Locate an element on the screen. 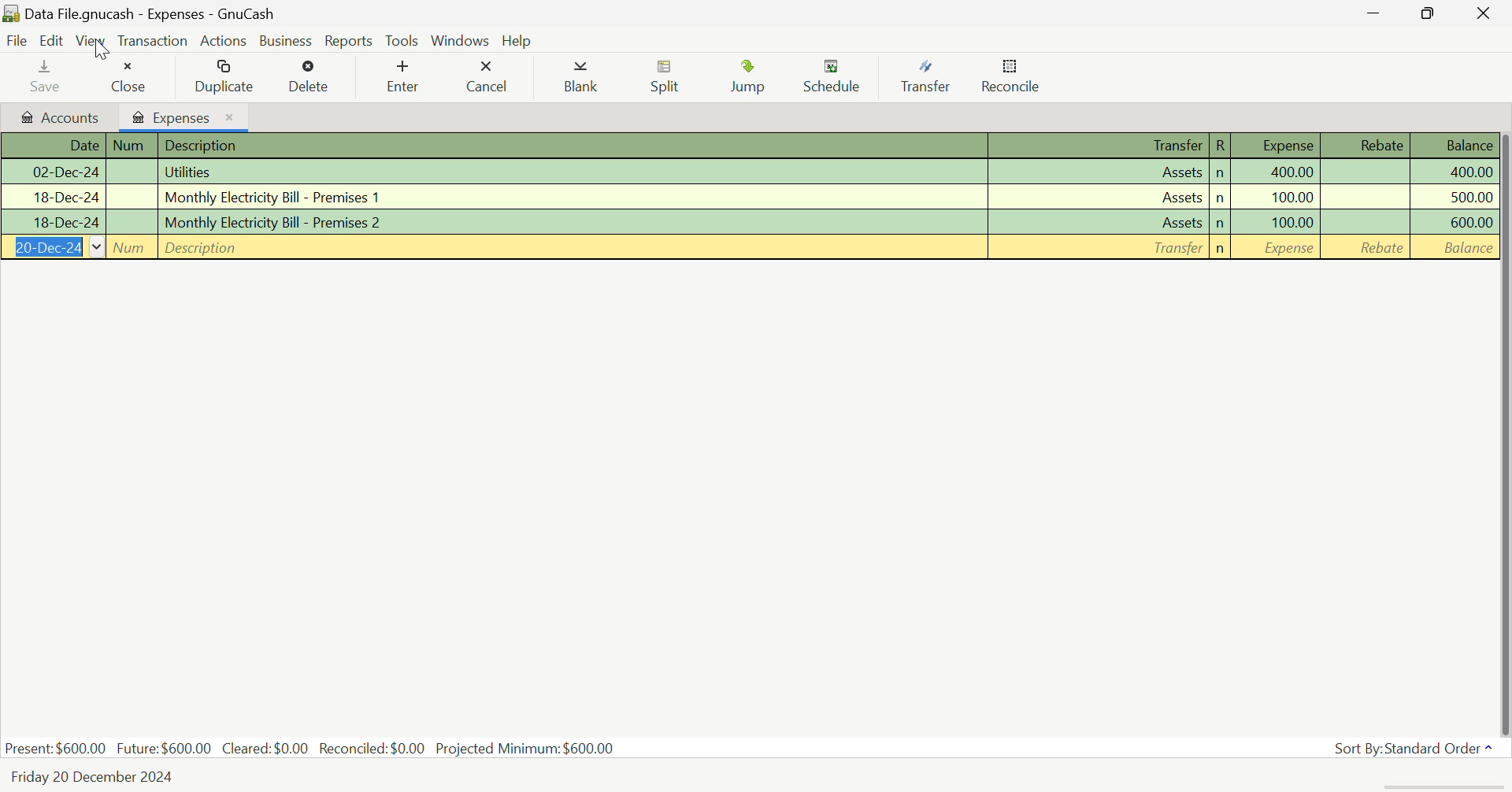 The height and width of the screenshot is (792, 1512). Close is located at coordinates (133, 77).